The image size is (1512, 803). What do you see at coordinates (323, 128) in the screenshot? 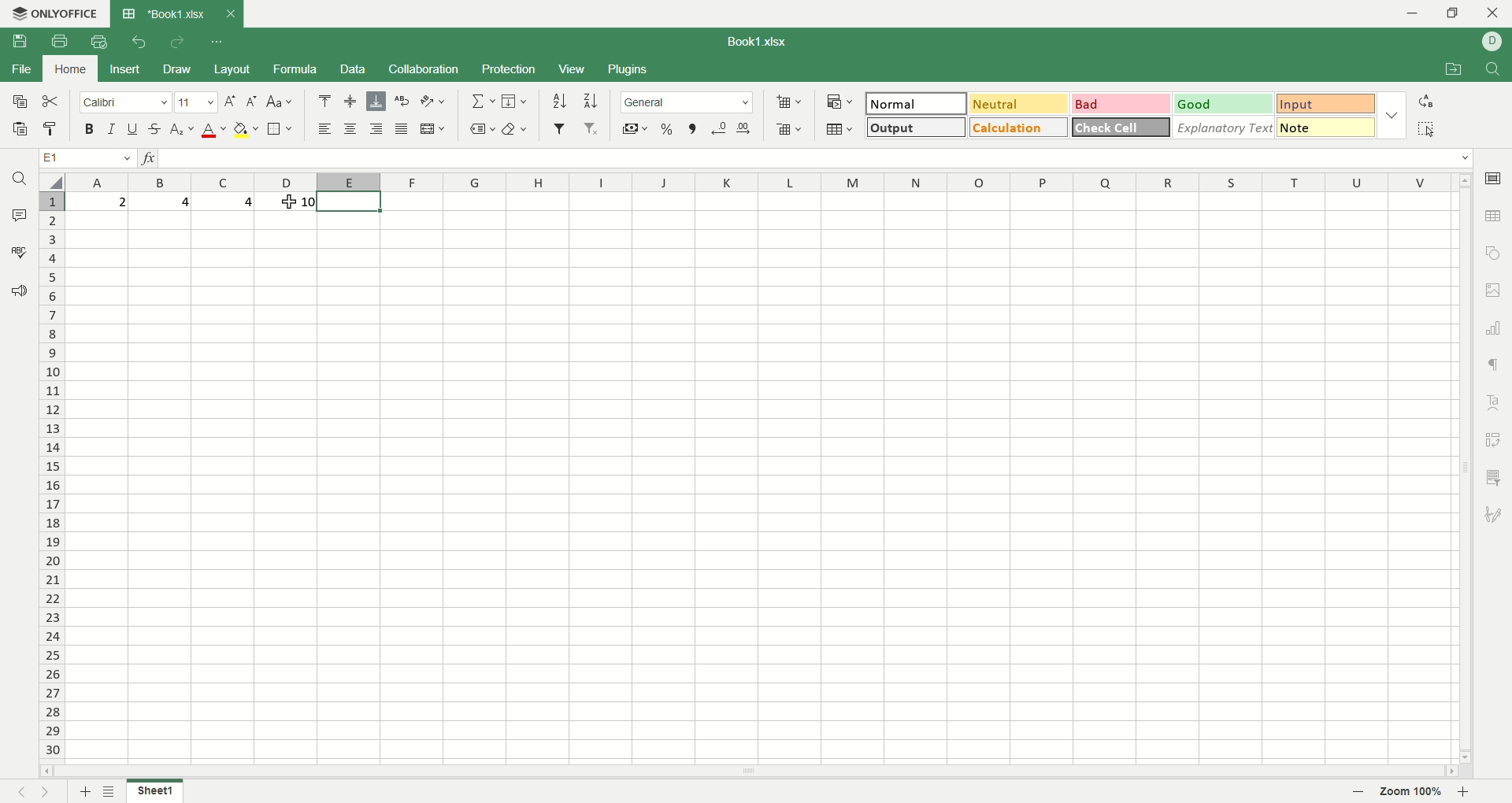
I see `align left` at bounding box center [323, 128].